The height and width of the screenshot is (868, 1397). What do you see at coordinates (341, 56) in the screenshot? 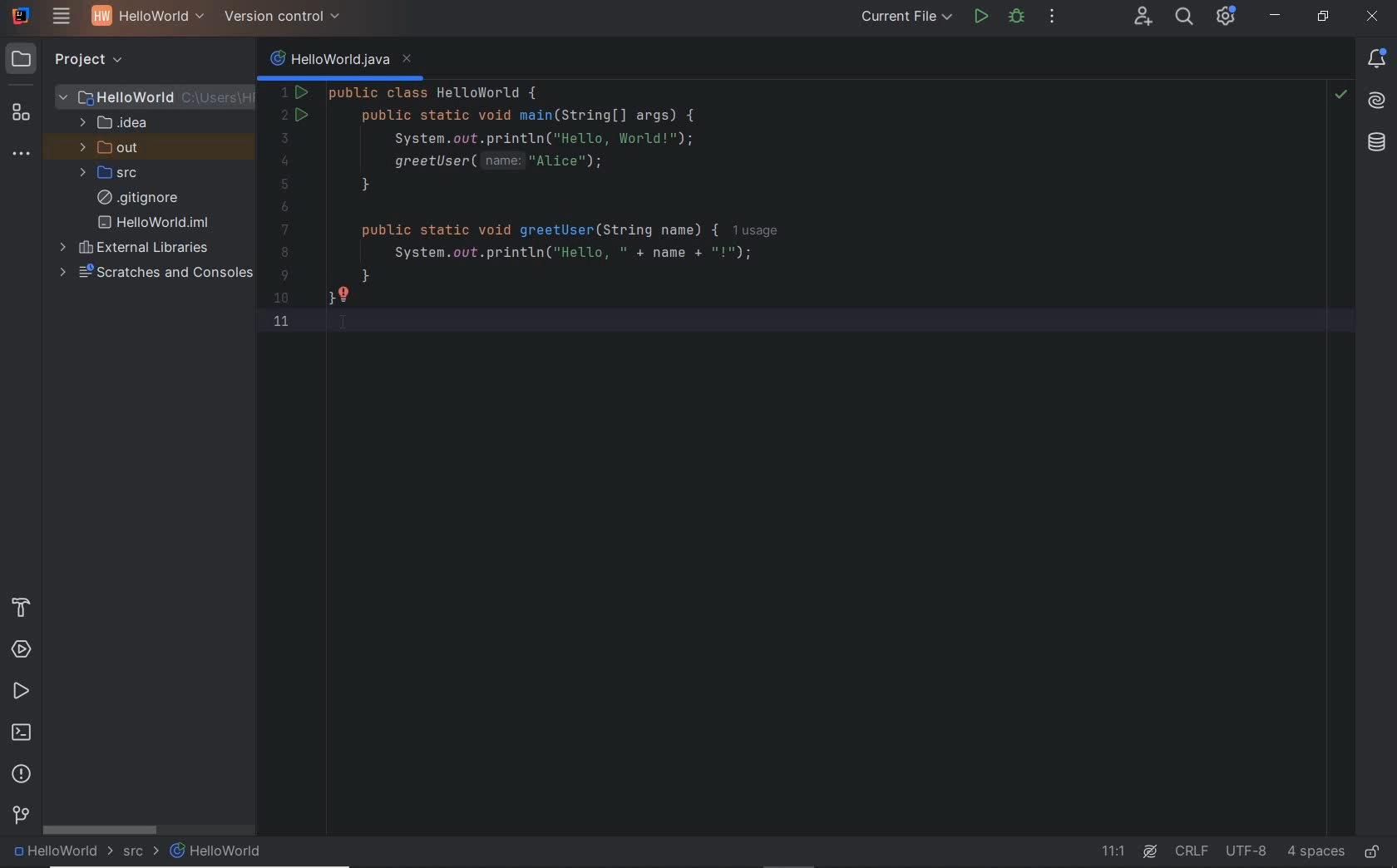
I see `HelloWorld.java(java class name)` at bounding box center [341, 56].